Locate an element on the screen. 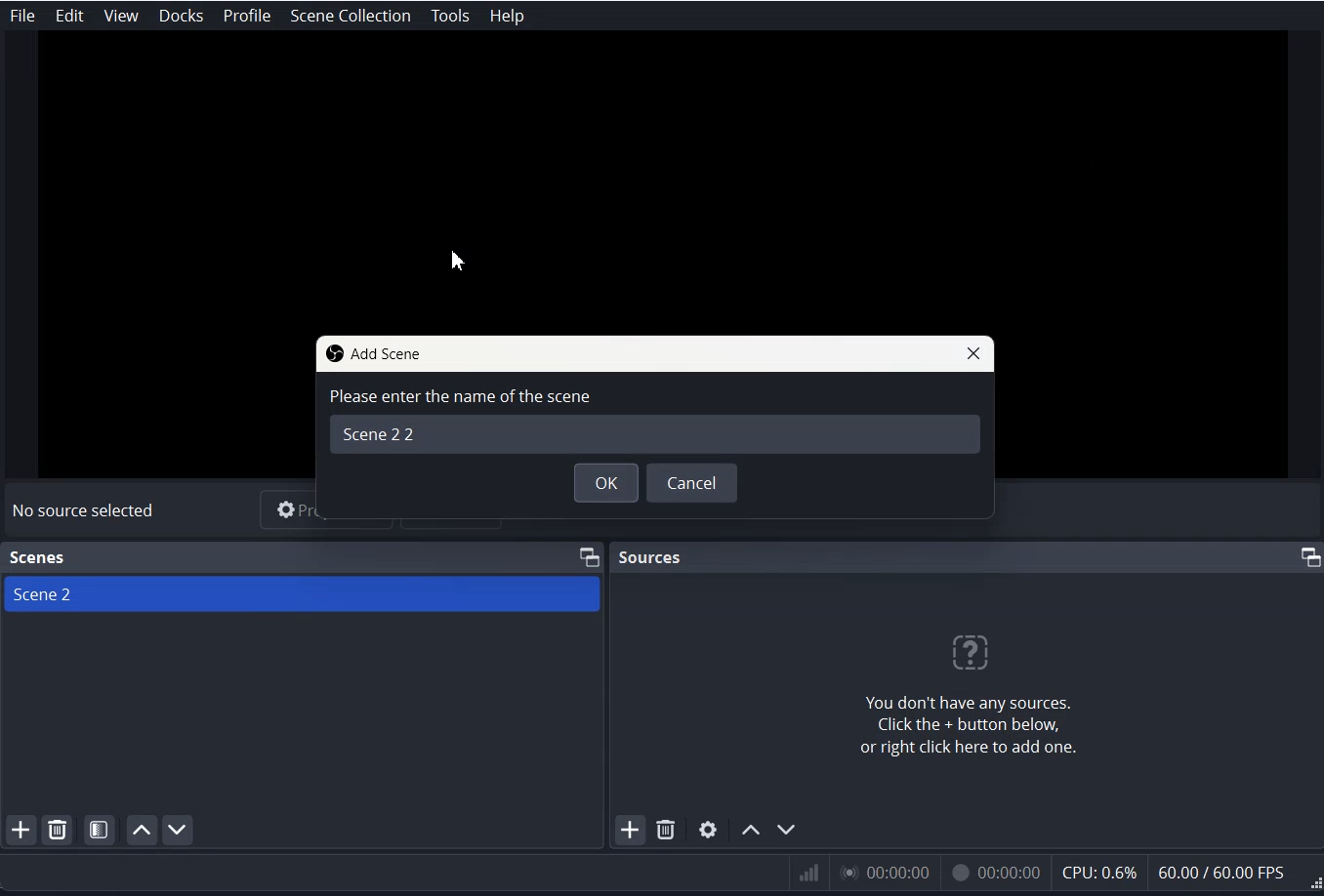 The image size is (1324, 896). Move Source Down is located at coordinates (787, 830).